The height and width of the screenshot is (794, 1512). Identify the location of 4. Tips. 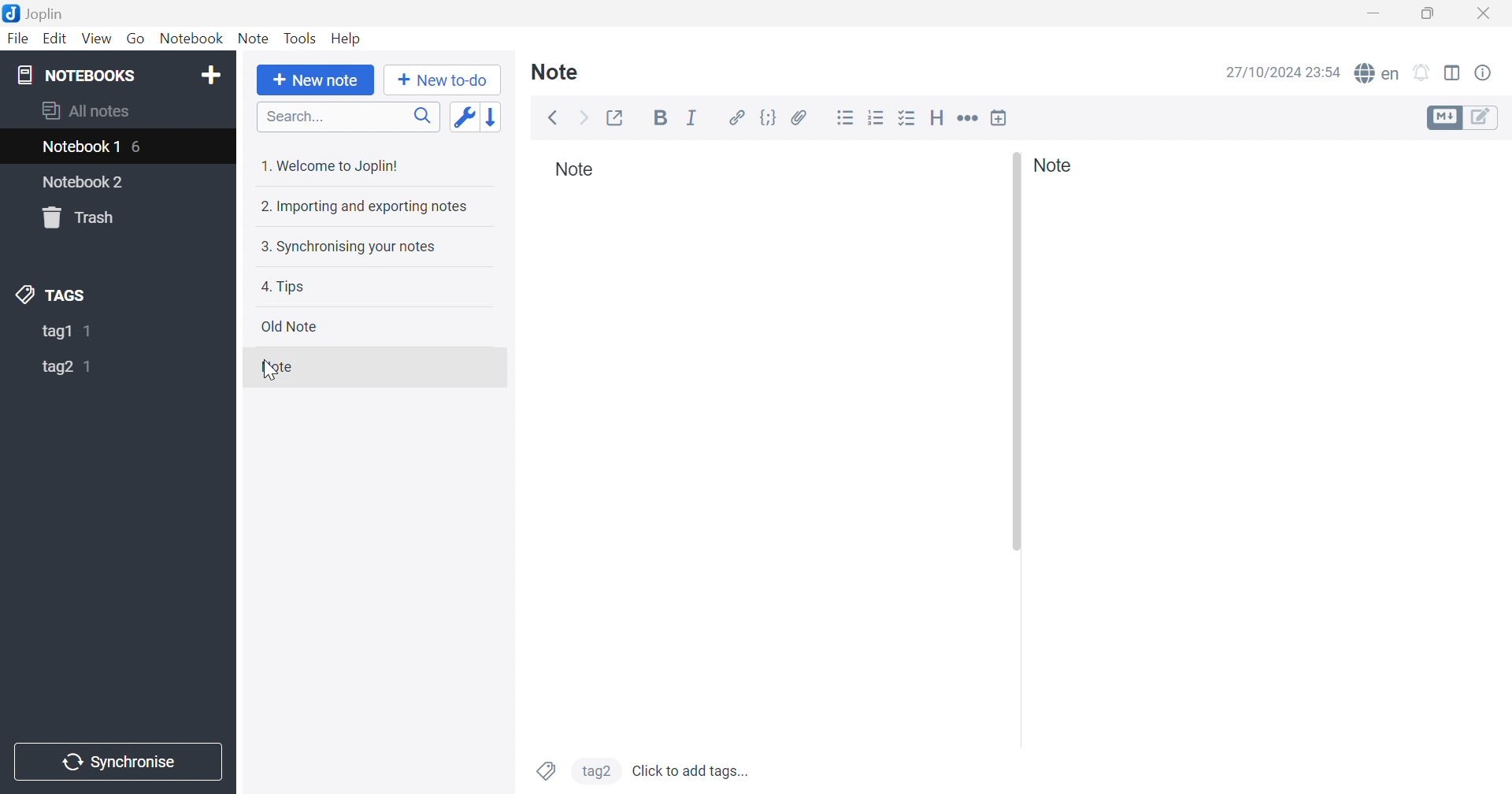
(283, 287).